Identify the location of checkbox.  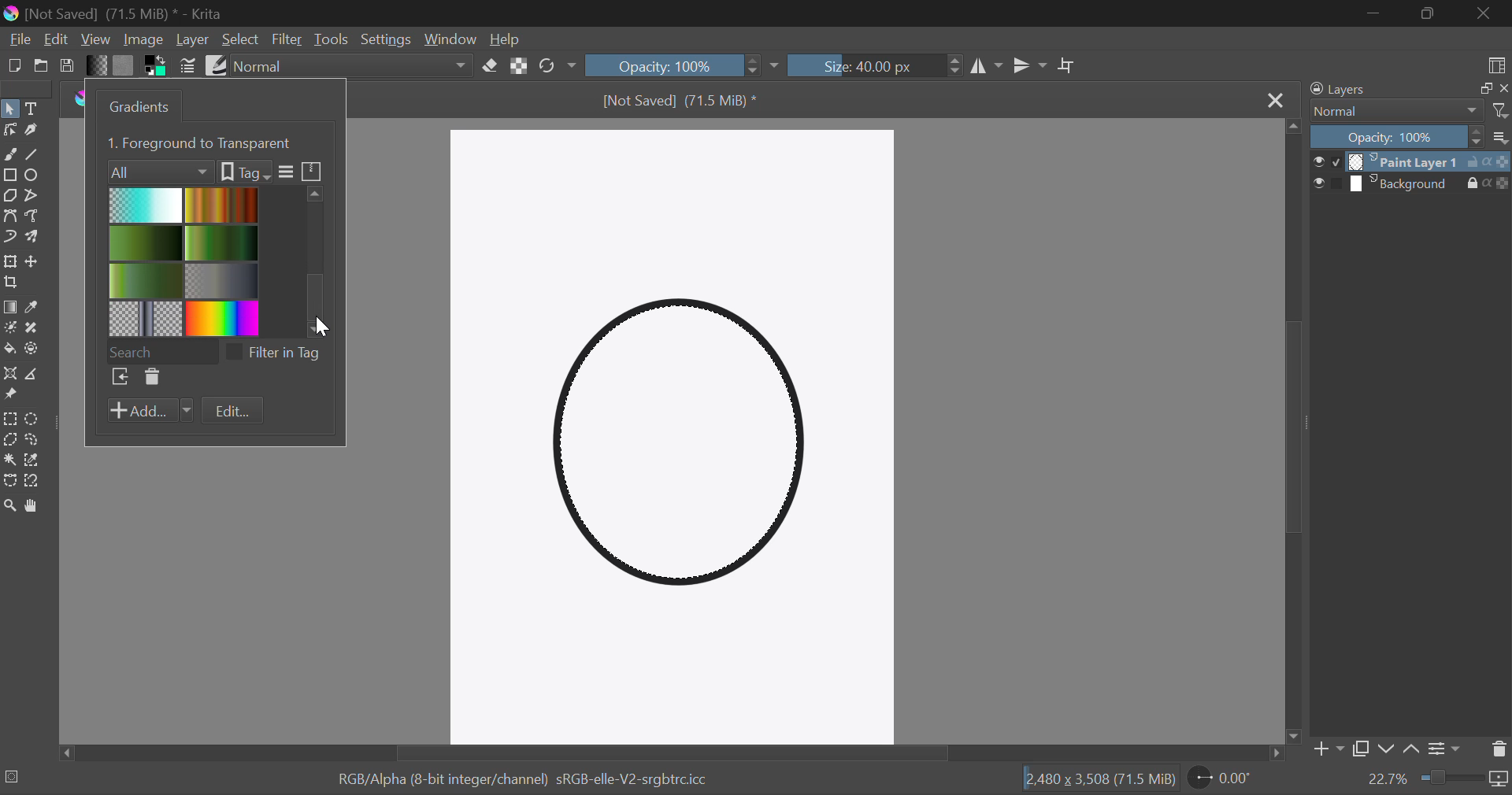
(1326, 162).